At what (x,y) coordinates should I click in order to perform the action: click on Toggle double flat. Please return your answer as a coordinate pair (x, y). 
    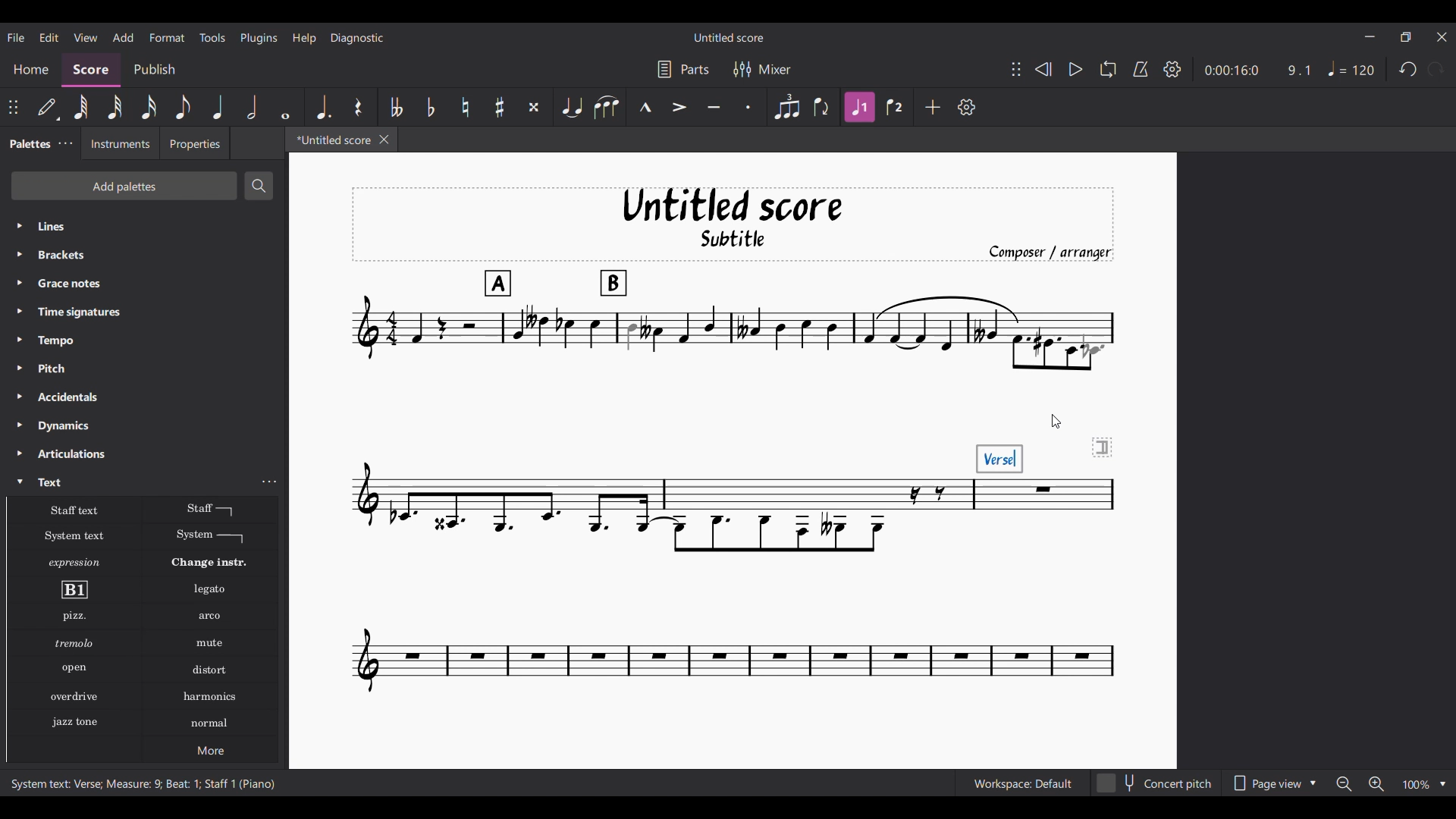
    Looking at the image, I should click on (394, 107).